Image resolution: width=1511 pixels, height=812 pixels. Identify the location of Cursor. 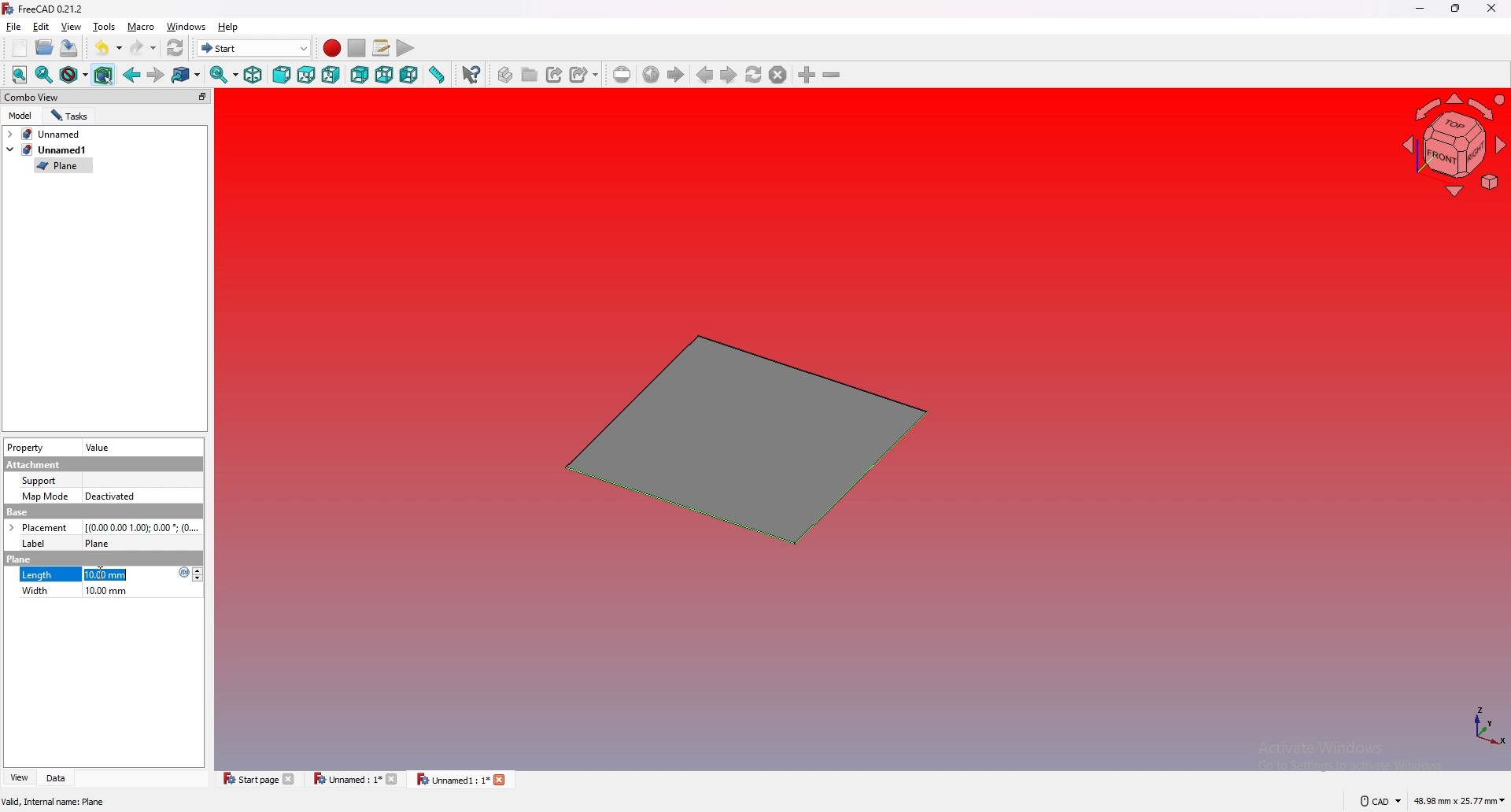
(102, 574).